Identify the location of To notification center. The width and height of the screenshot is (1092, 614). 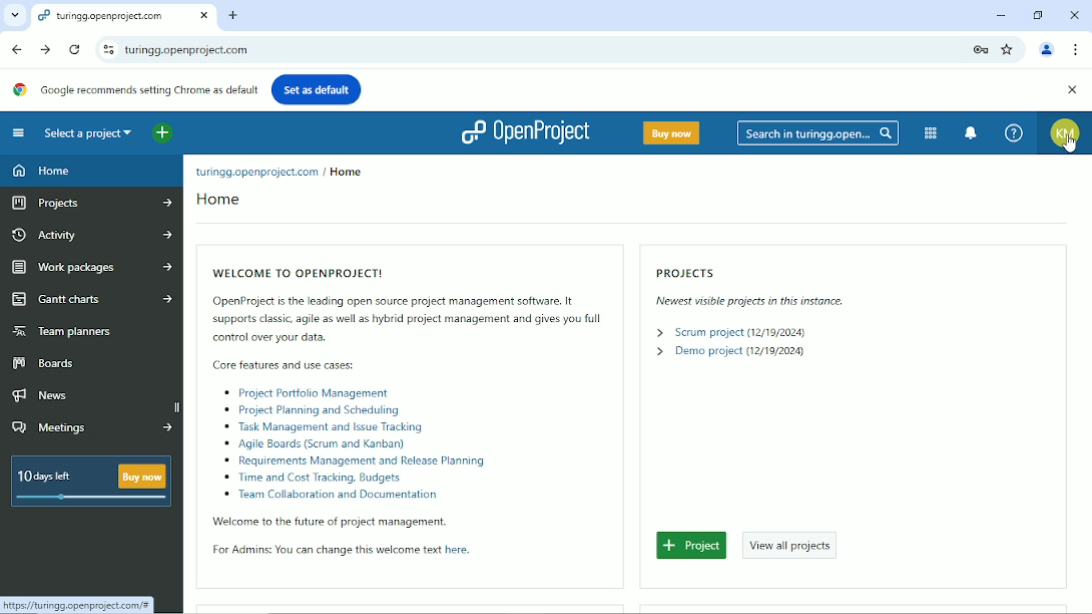
(972, 132).